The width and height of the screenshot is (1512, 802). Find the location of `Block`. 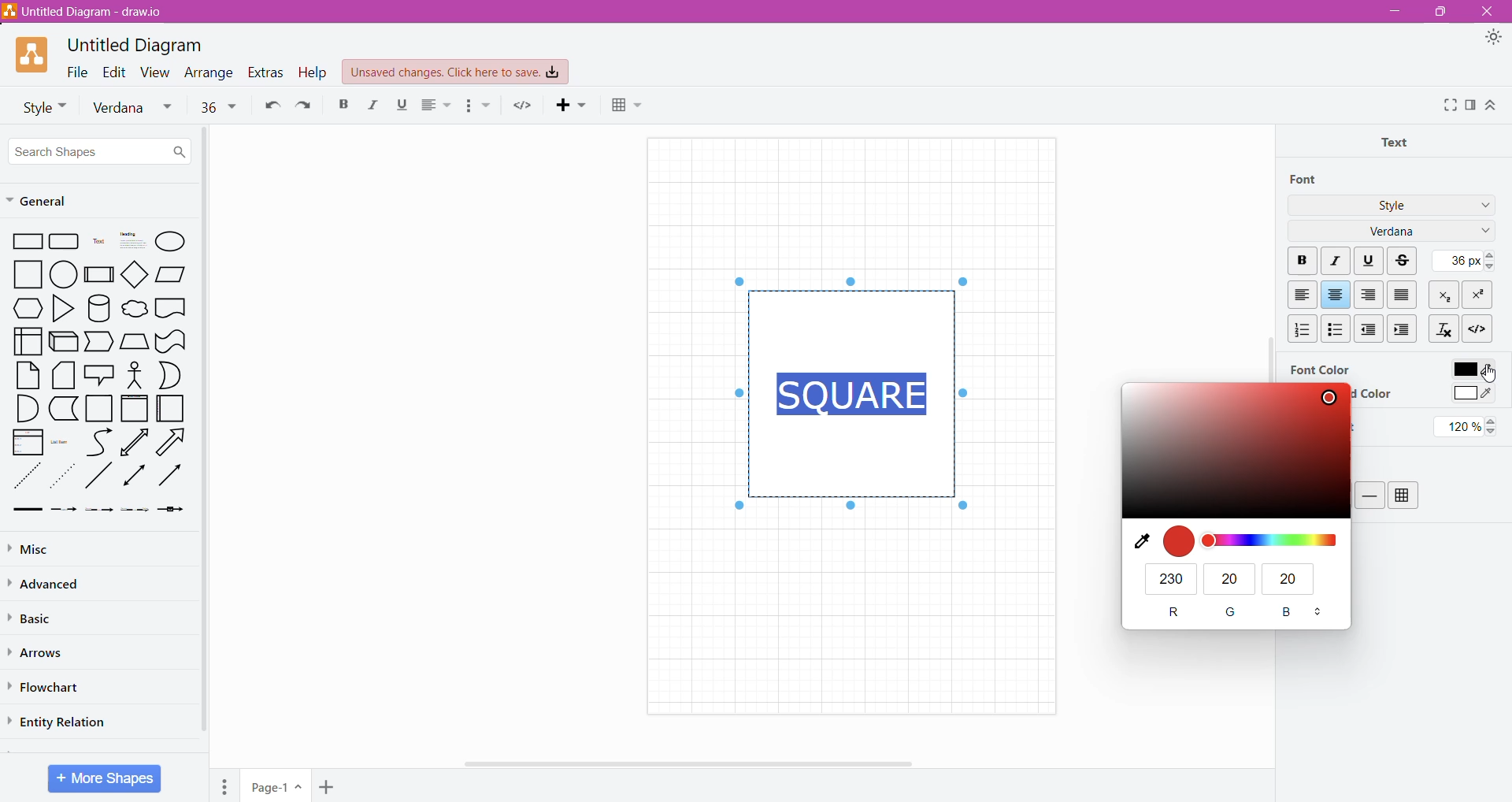

Block is located at coordinates (1403, 294).